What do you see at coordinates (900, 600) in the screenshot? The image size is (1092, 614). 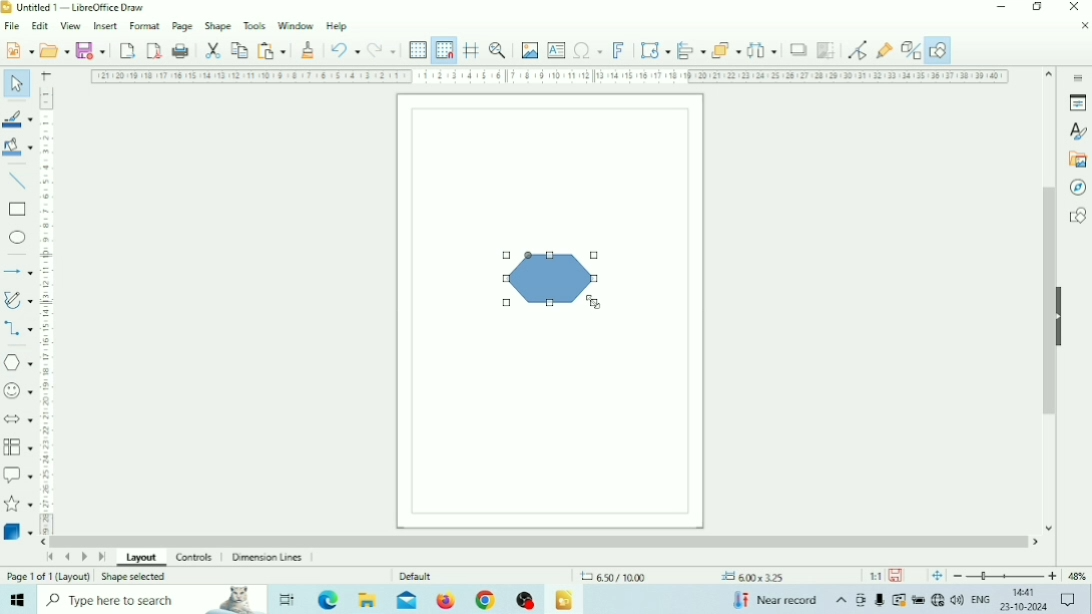 I see `Warning` at bounding box center [900, 600].